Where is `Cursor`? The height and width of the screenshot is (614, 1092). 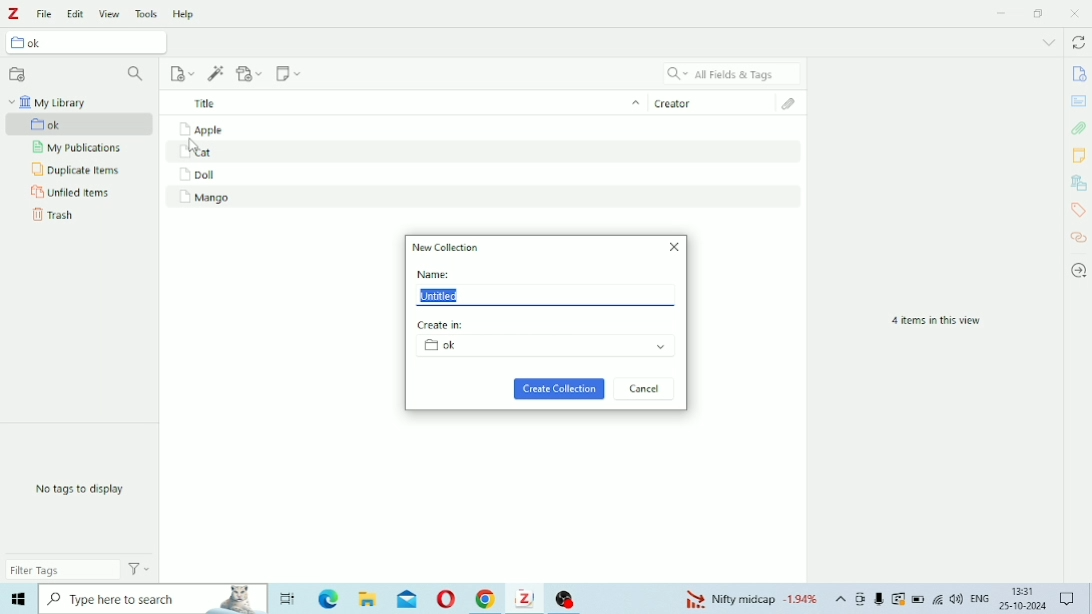
Cursor is located at coordinates (195, 147).